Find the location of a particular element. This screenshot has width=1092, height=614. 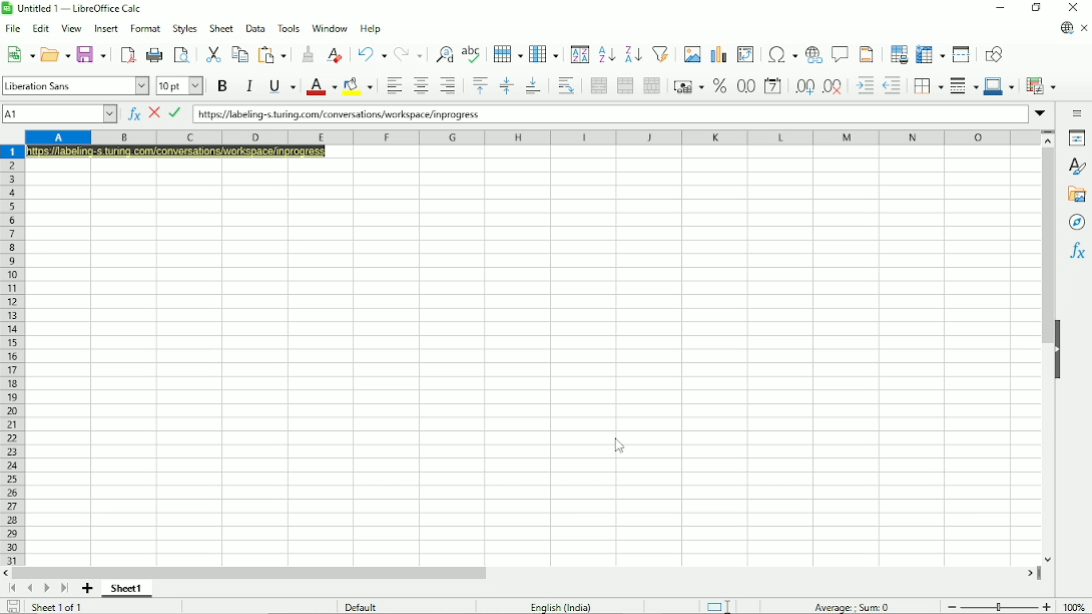

Conditional is located at coordinates (1042, 85).